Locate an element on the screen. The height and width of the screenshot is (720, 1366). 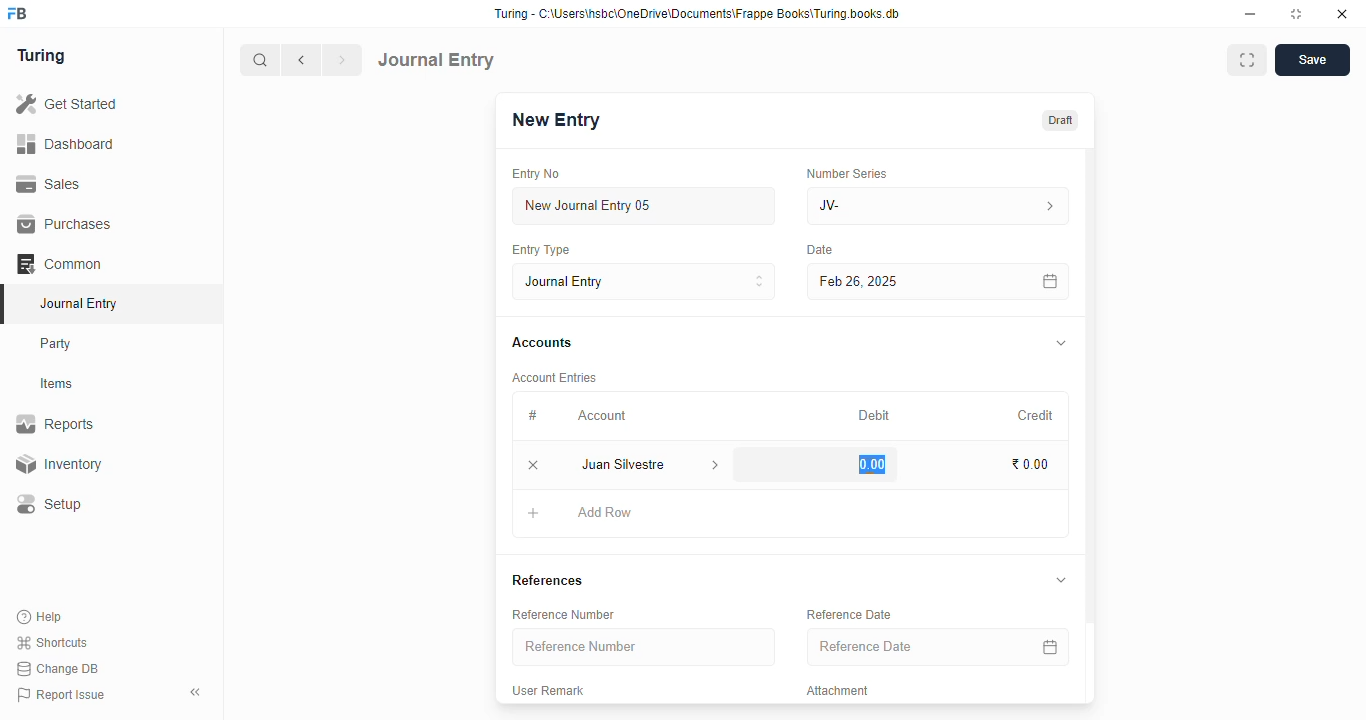
credit is located at coordinates (1037, 415).